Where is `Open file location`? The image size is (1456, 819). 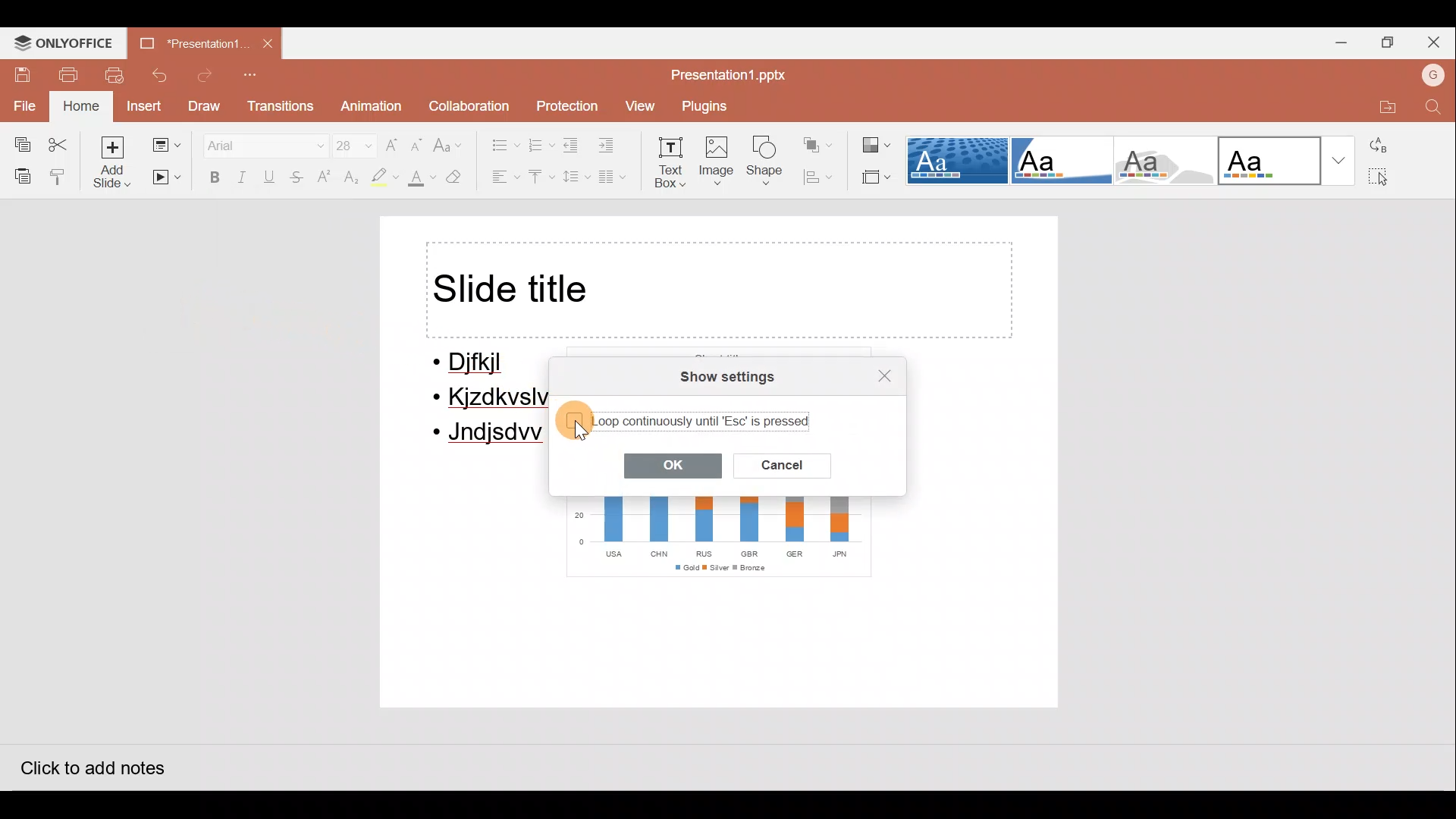
Open file location is located at coordinates (1379, 107).